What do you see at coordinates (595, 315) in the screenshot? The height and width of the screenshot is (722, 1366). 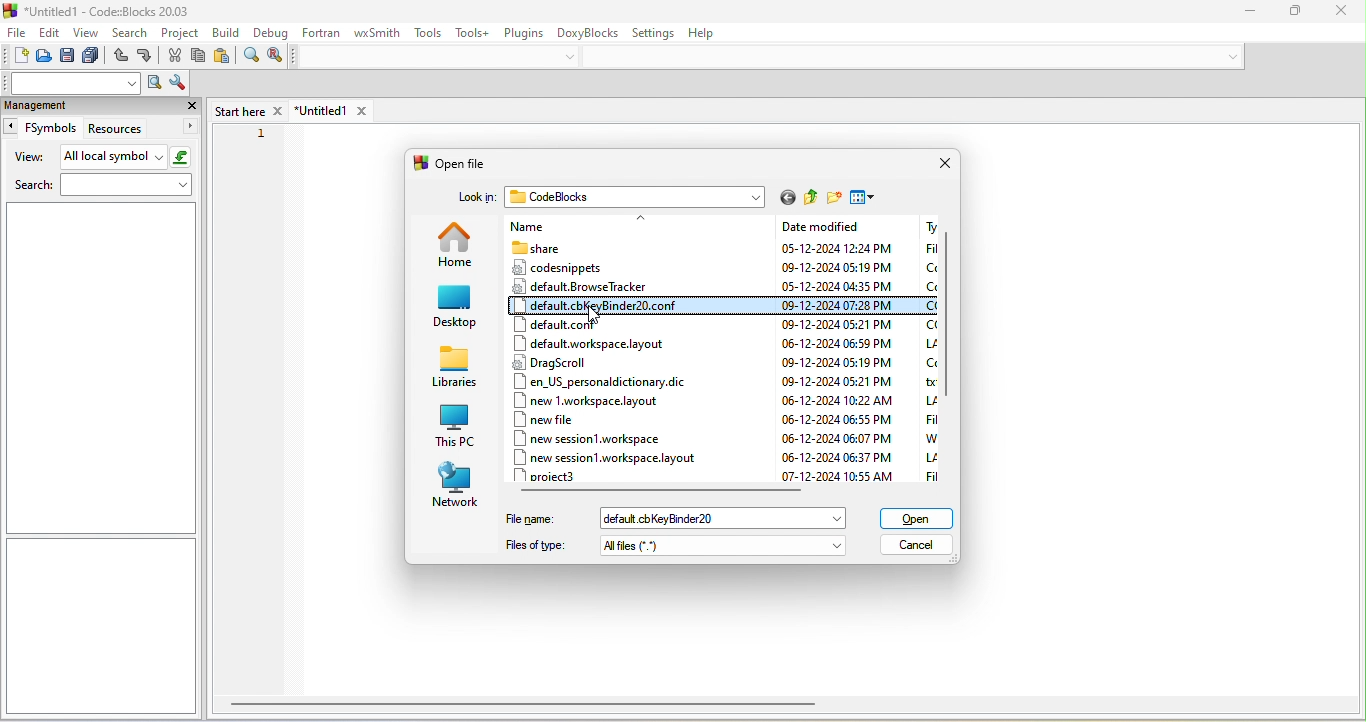 I see `cursor movement` at bounding box center [595, 315].